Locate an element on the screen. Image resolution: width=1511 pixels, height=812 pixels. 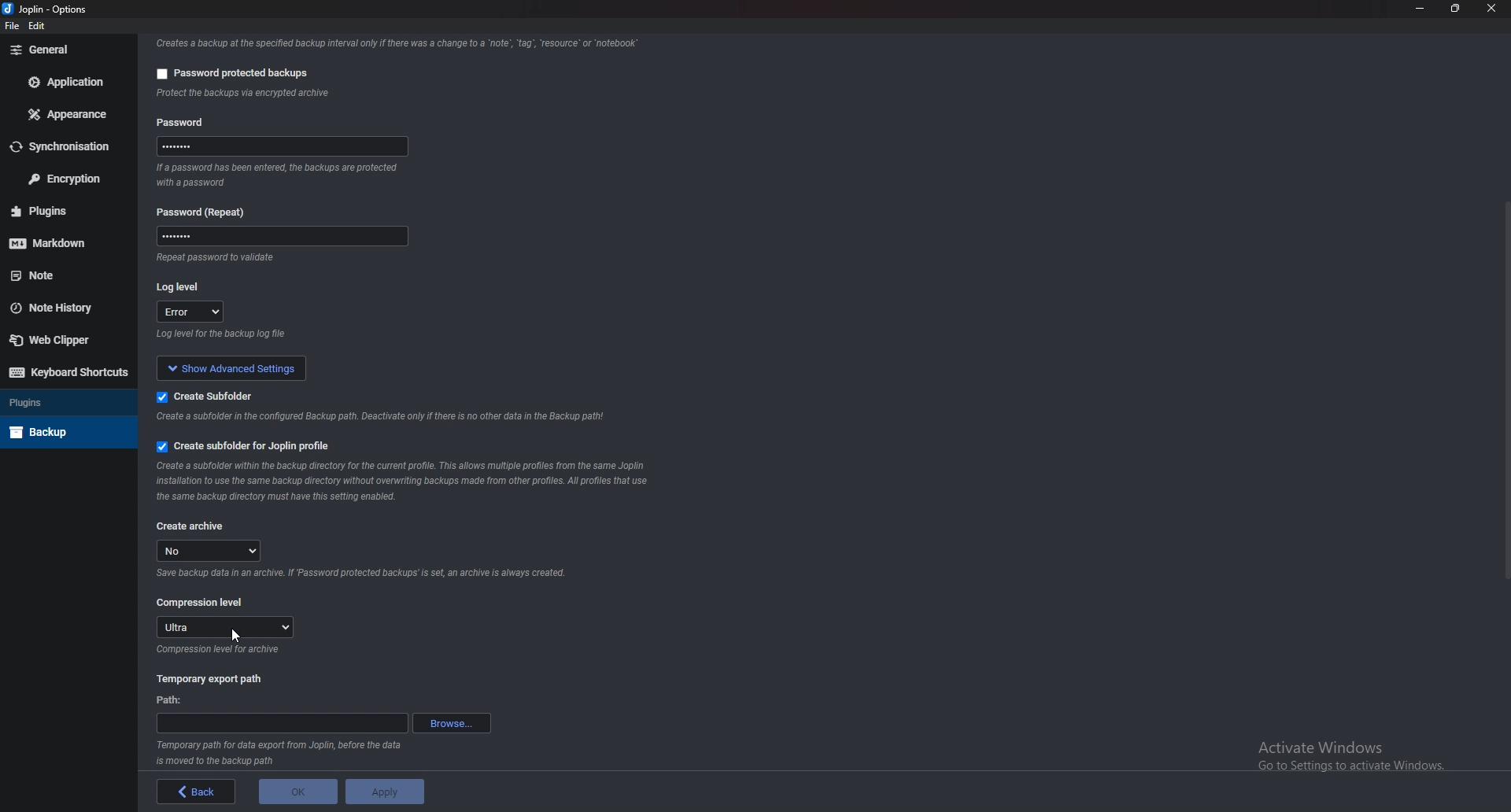
Application is located at coordinates (68, 83).